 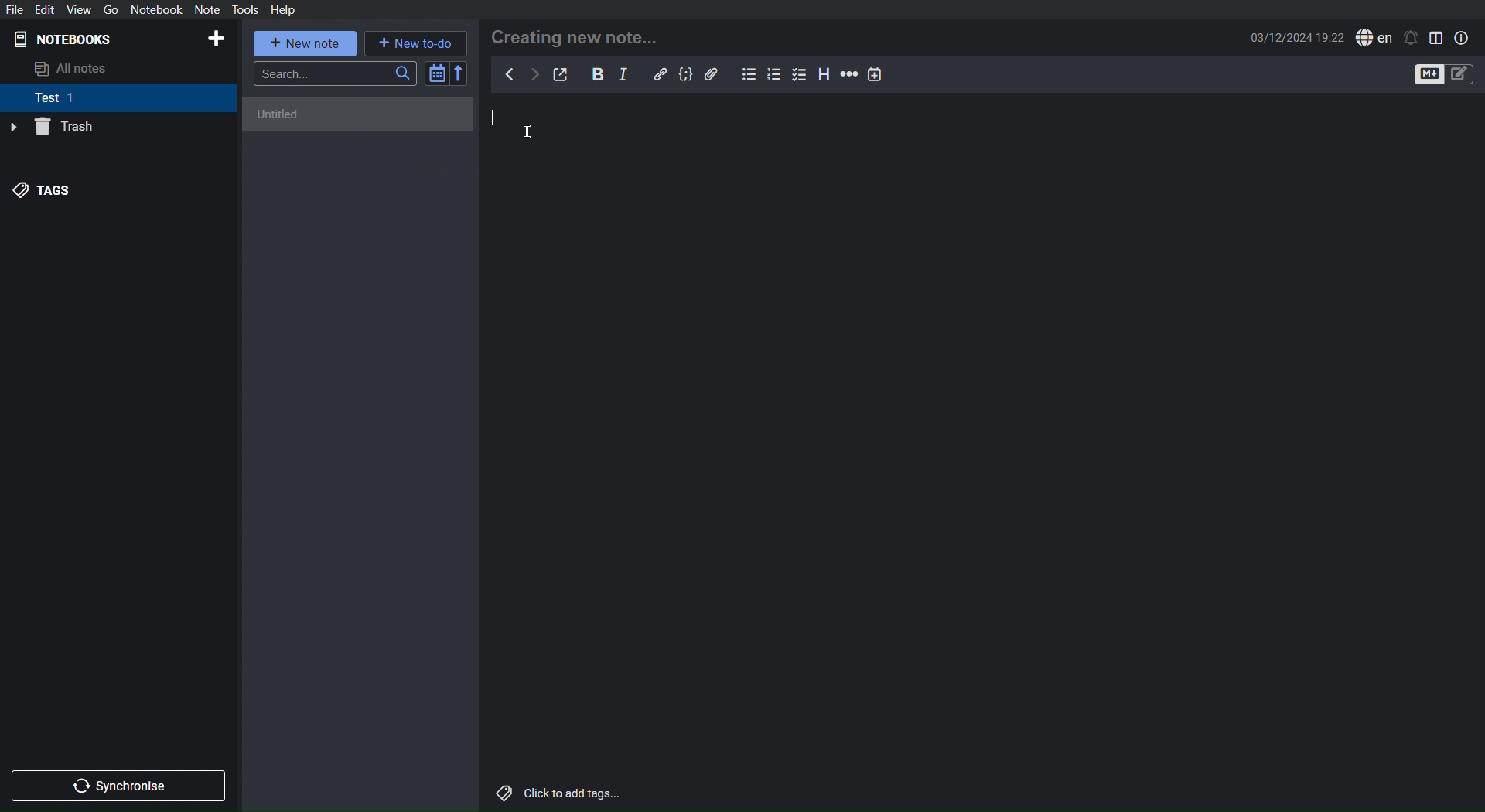 What do you see at coordinates (1442, 74) in the screenshot?
I see `Toggle Editors` at bounding box center [1442, 74].